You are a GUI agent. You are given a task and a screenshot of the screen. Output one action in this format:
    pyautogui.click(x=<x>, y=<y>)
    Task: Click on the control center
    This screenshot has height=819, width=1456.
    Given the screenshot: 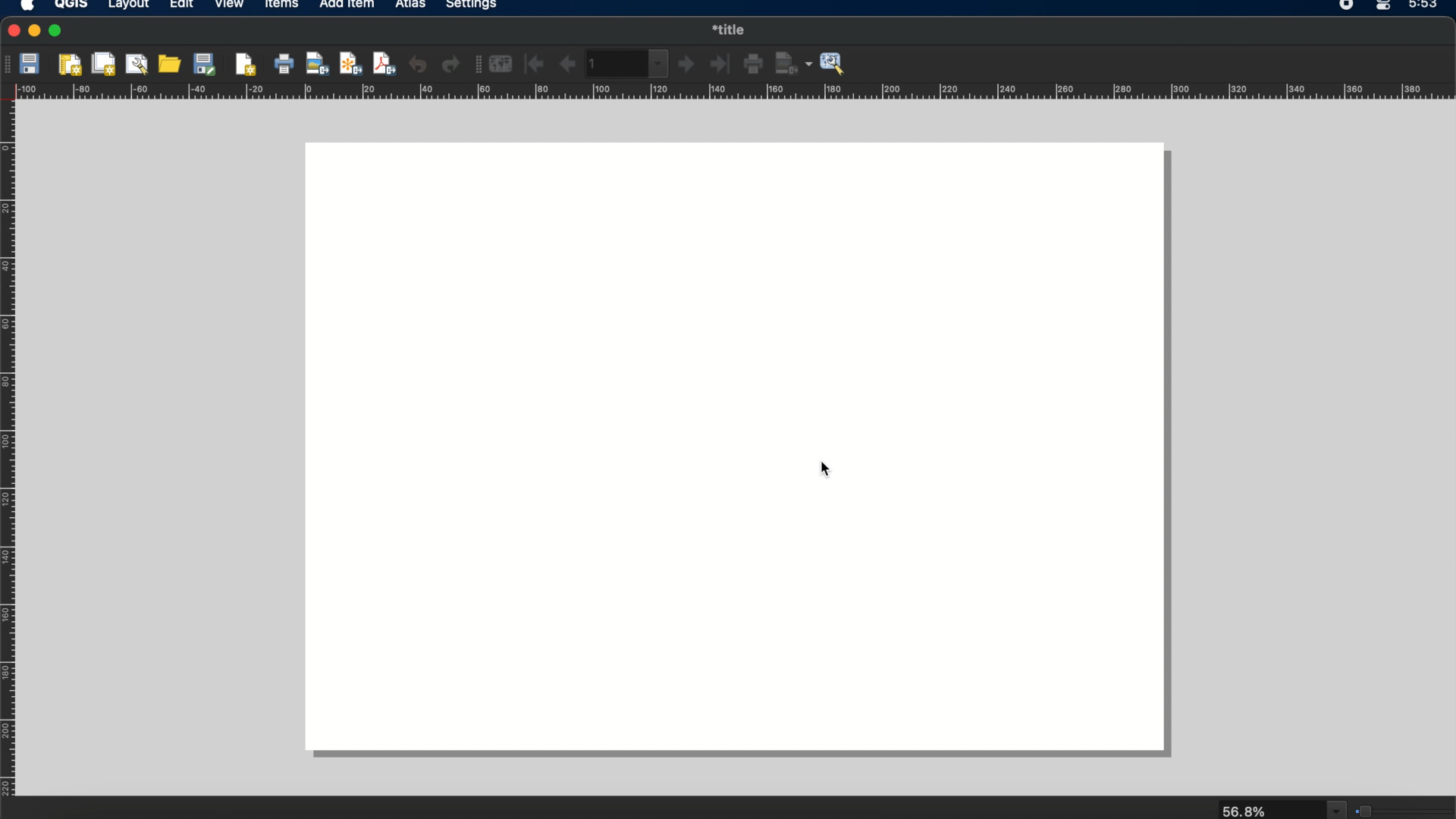 What is the action you would take?
    pyautogui.click(x=1382, y=8)
    